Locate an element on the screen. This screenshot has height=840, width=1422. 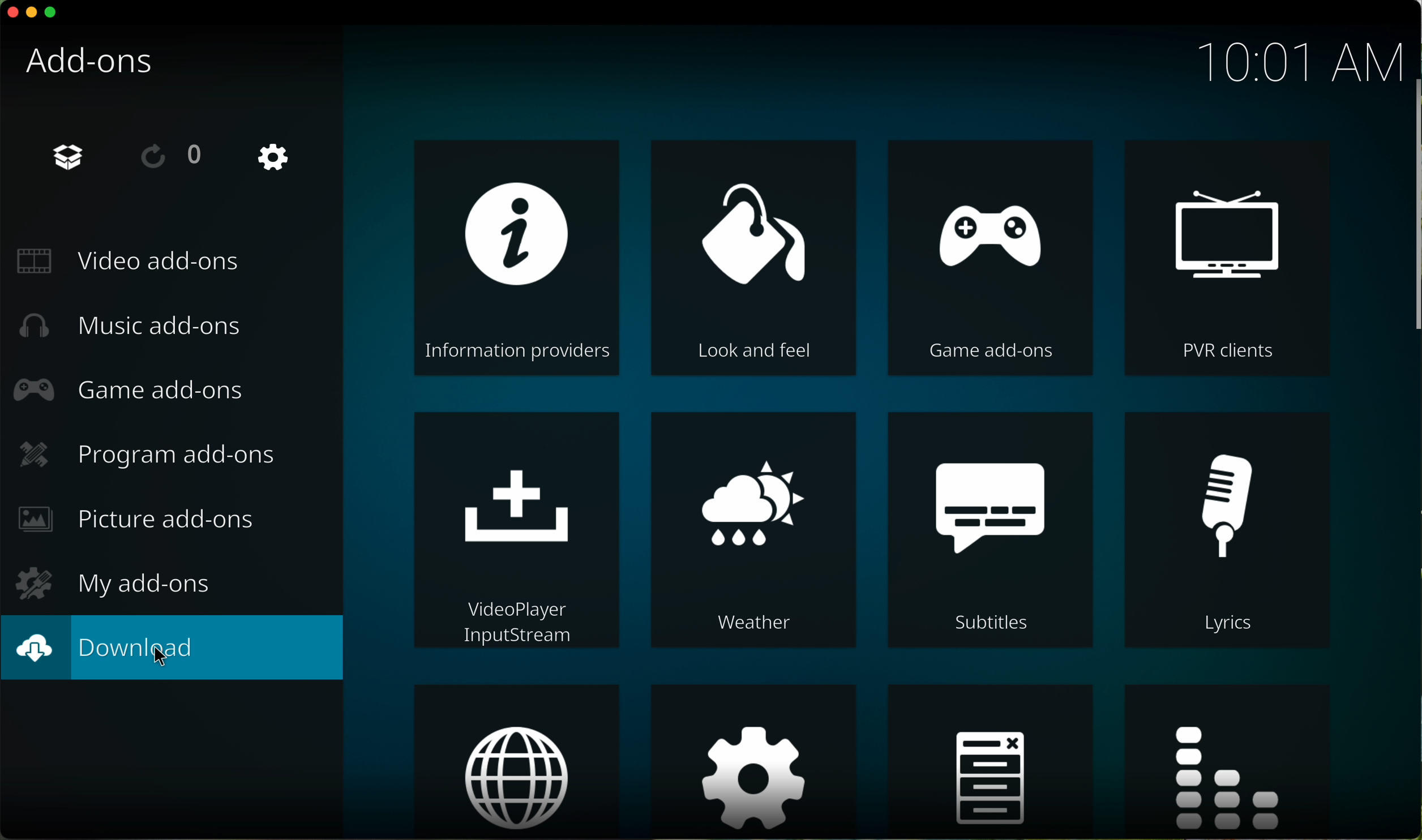
videoplayer inputstream is located at coordinates (517, 530).